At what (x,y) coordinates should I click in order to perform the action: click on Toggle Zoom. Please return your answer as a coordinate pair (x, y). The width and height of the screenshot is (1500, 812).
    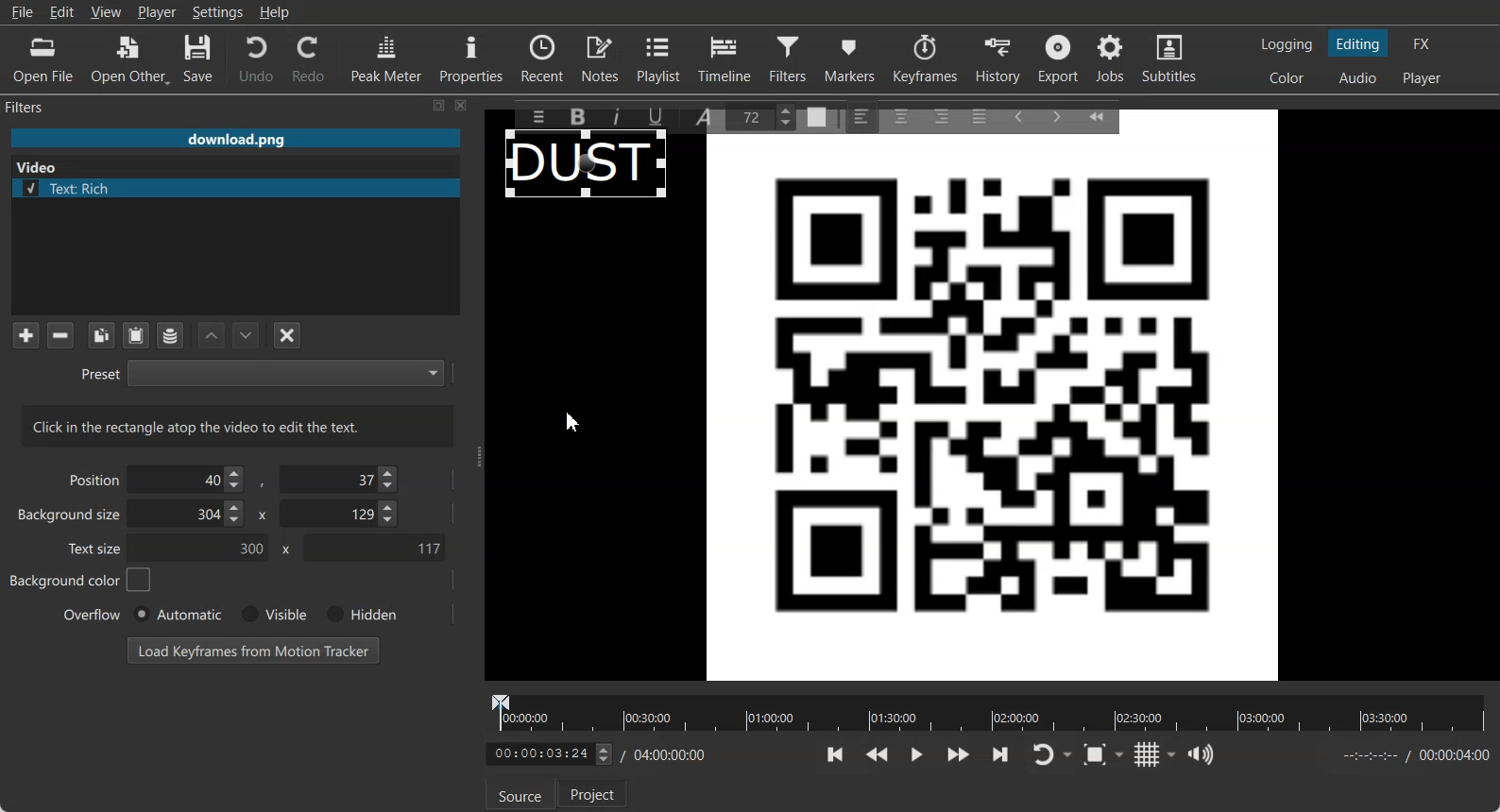
    Looking at the image, I should click on (1097, 755).